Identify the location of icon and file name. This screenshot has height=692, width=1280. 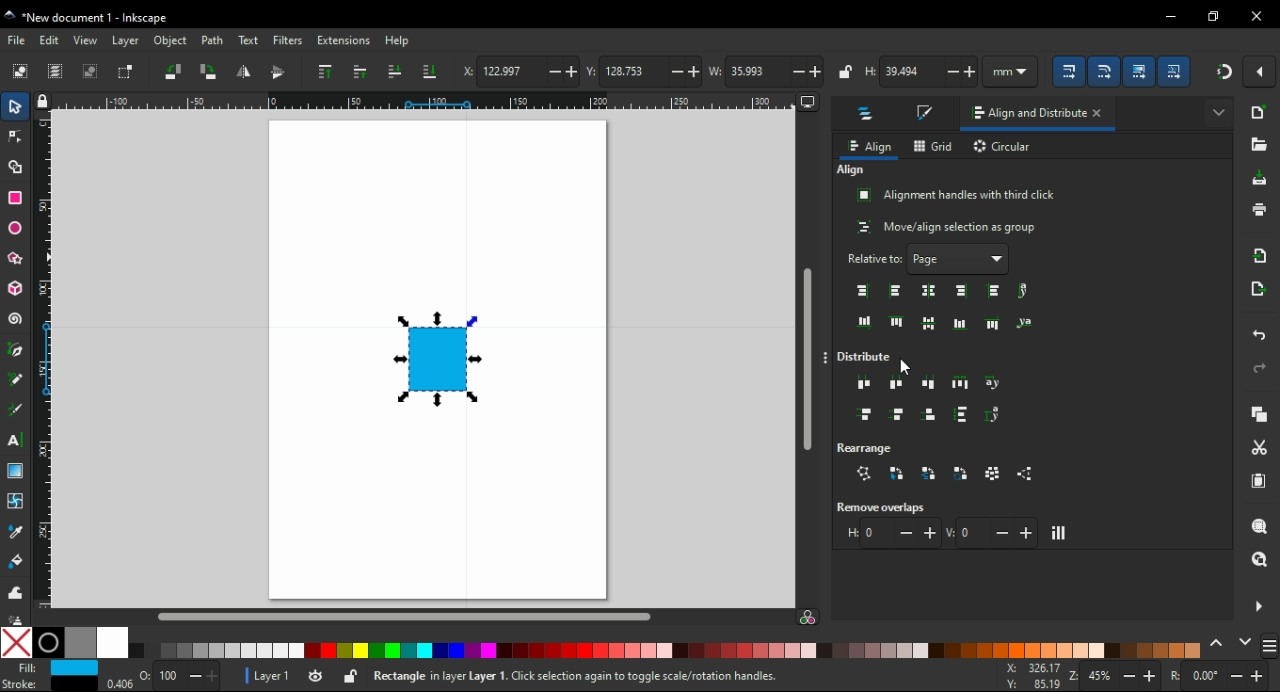
(92, 18).